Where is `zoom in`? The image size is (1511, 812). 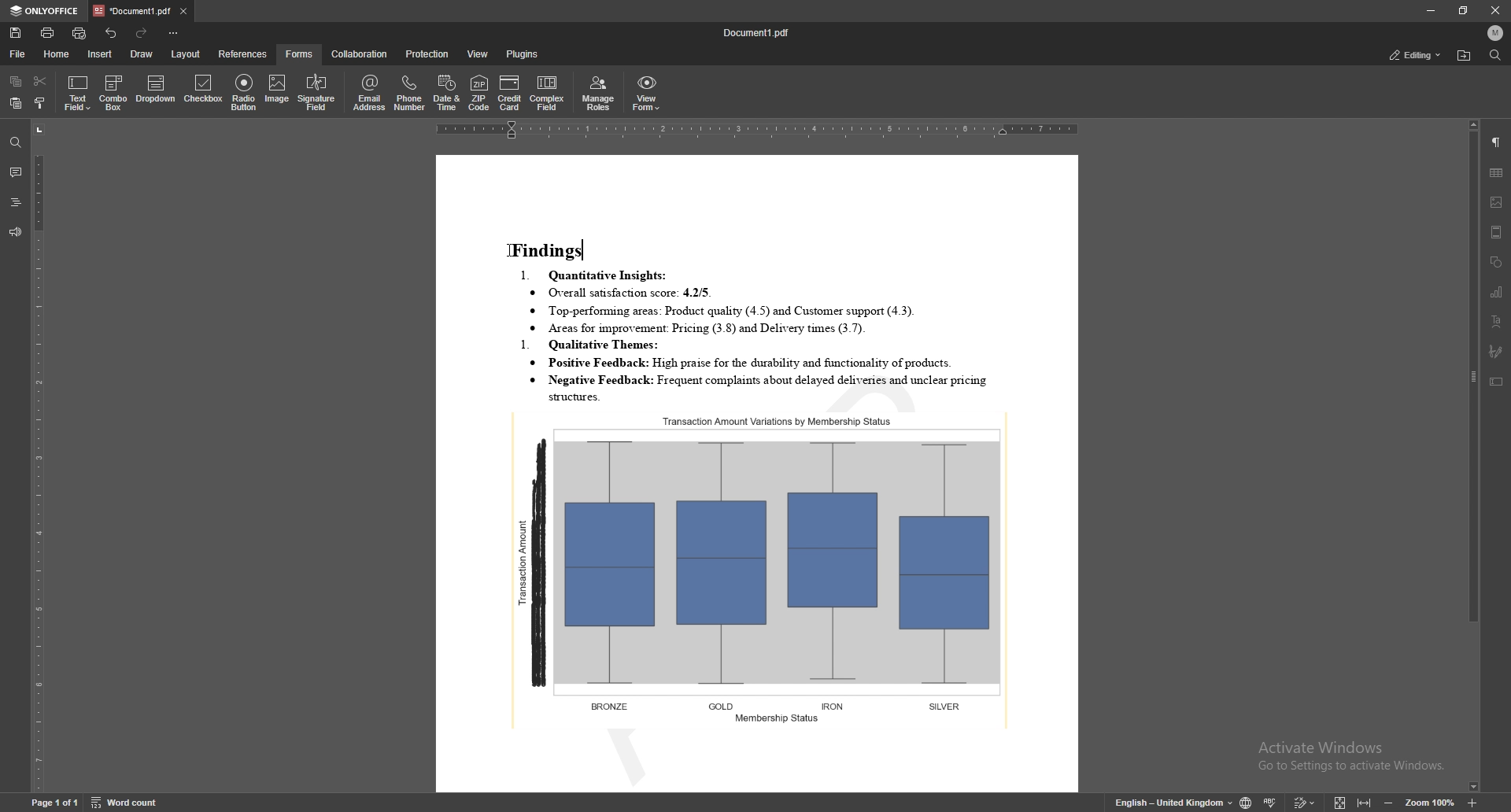
zoom in is located at coordinates (1475, 803).